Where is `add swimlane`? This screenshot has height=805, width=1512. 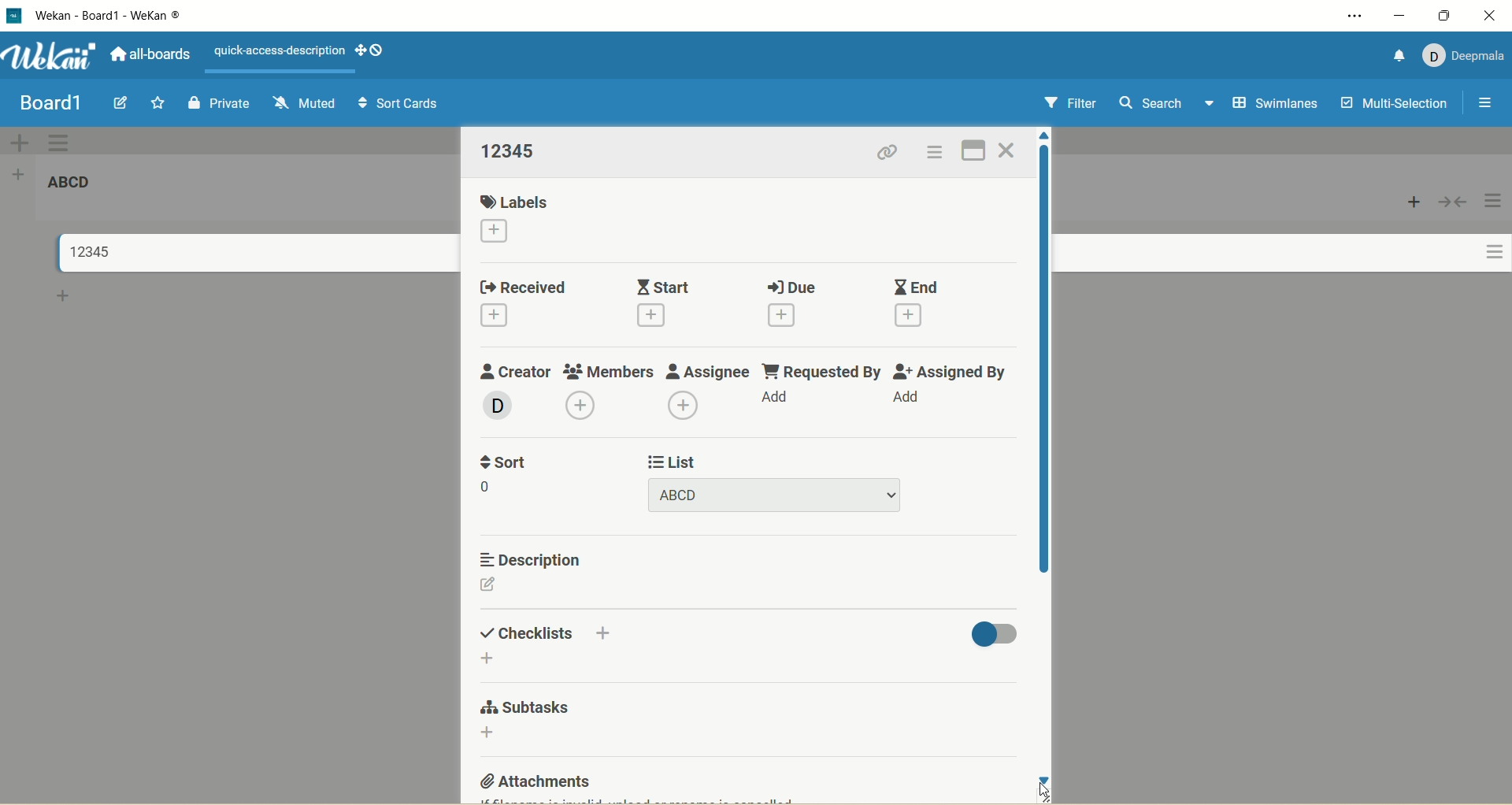
add swimlane is located at coordinates (17, 142).